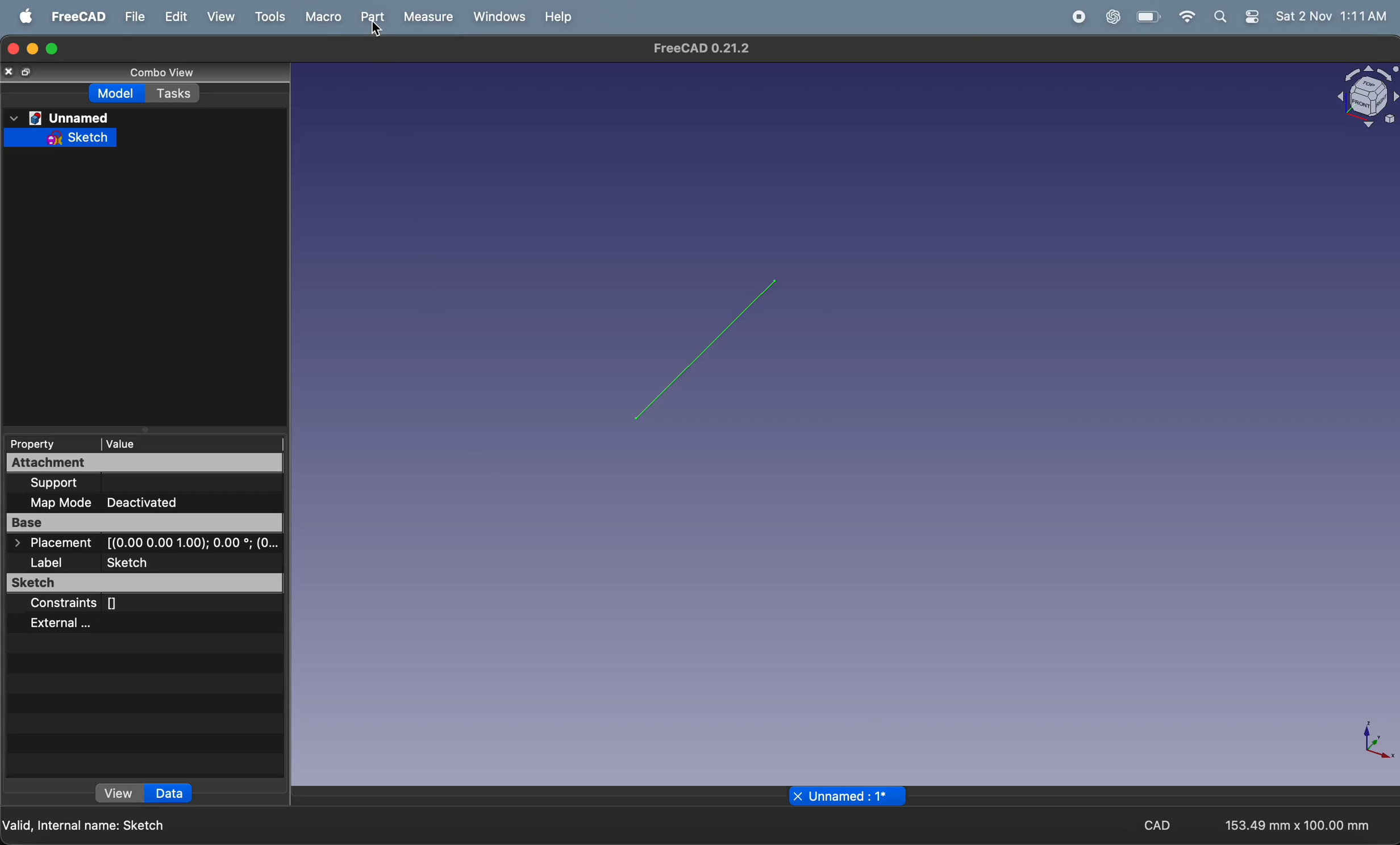 The width and height of the screenshot is (1400, 845). What do you see at coordinates (428, 16) in the screenshot?
I see `measure` at bounding box center [428, 16].